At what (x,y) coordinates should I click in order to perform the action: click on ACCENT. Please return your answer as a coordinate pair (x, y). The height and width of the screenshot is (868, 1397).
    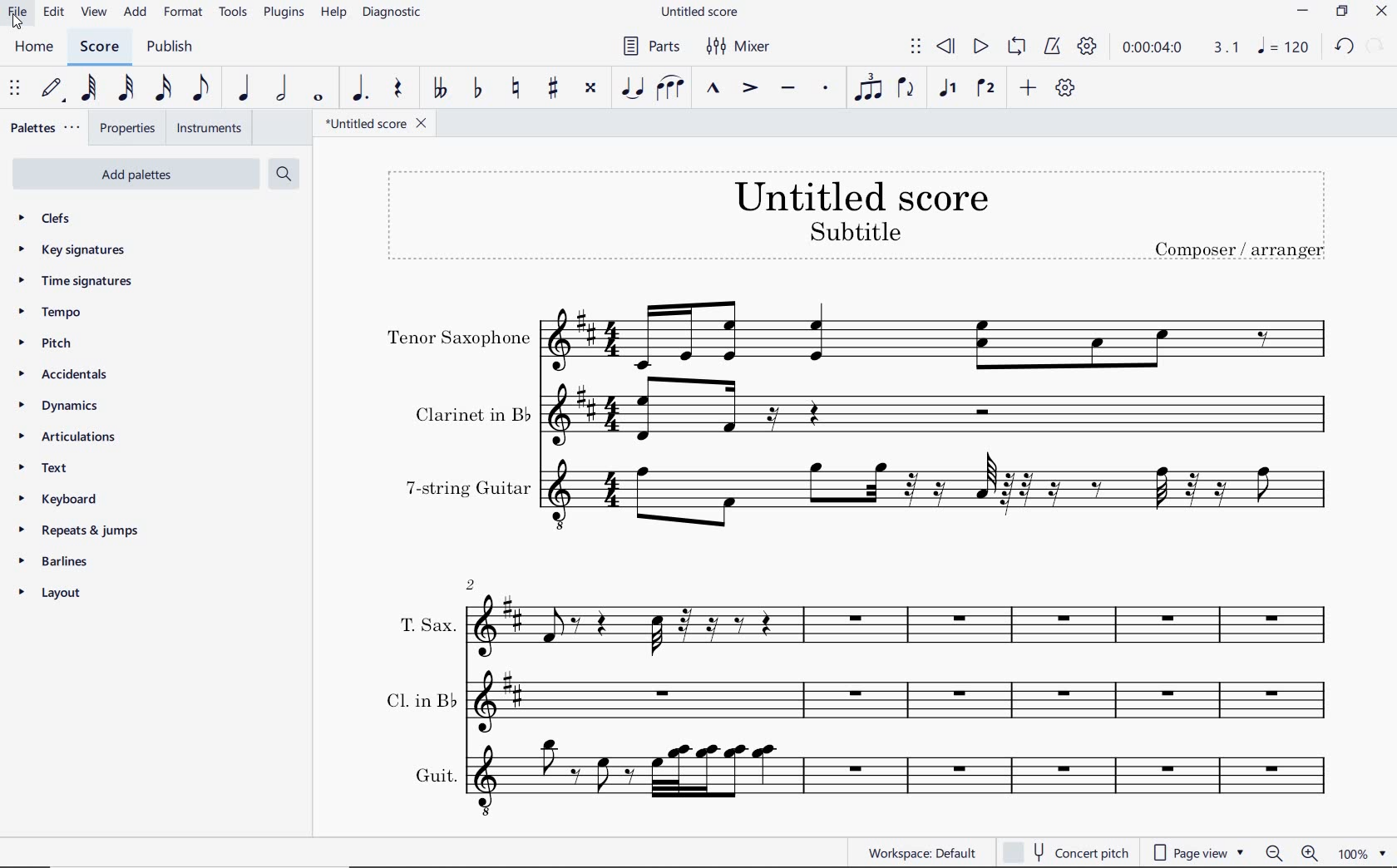
    Looking at the image, I should click on (749, 86).